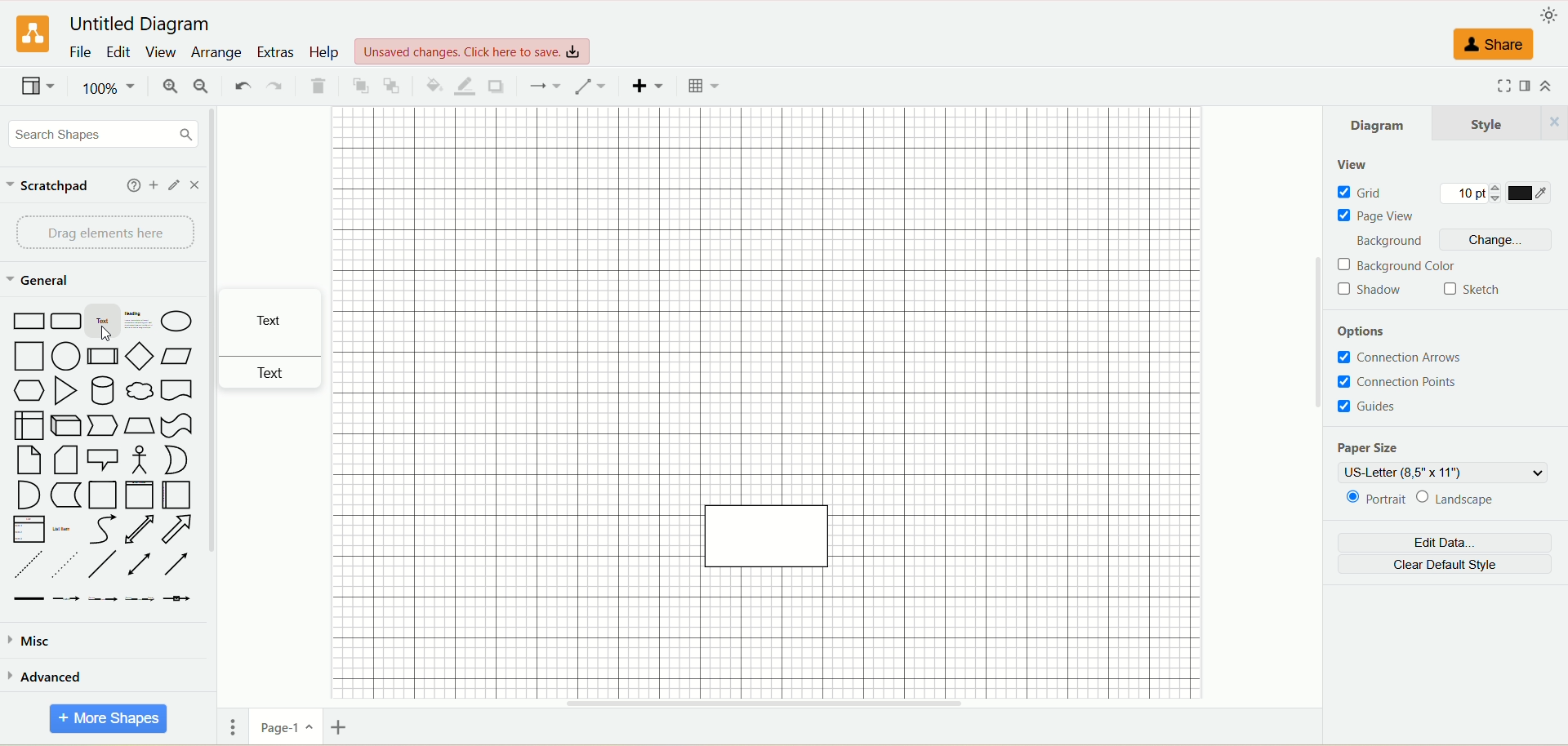 The width and height of the screenshot is (1568, 746). Describe the element at coordinates (1477, 192) in the screenshot. I see `10 pt` at that location.